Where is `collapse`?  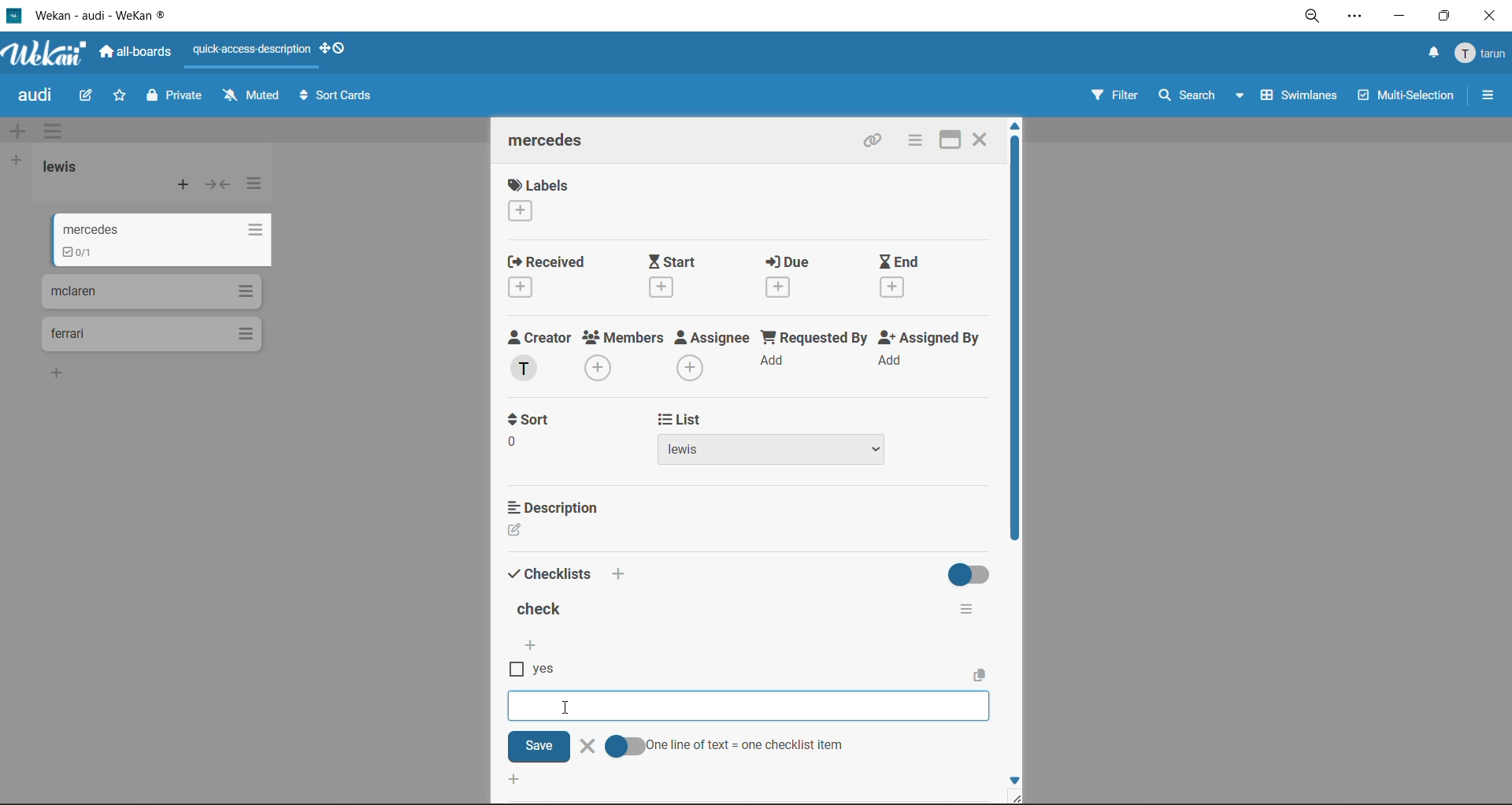 collapse is located at coordinates (221, 188).